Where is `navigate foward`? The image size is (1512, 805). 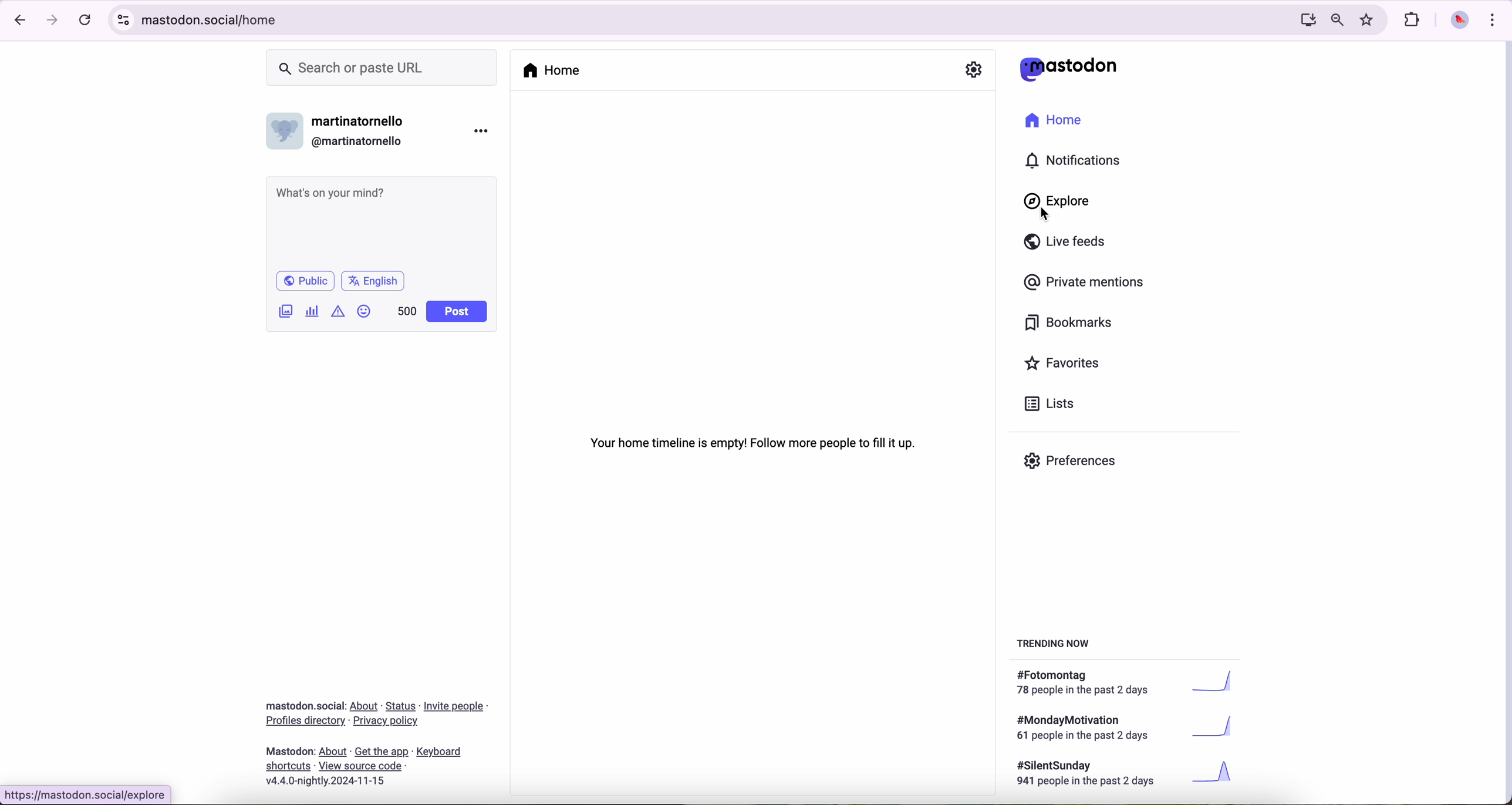
navigate foward is located at coordinates (53, 21).